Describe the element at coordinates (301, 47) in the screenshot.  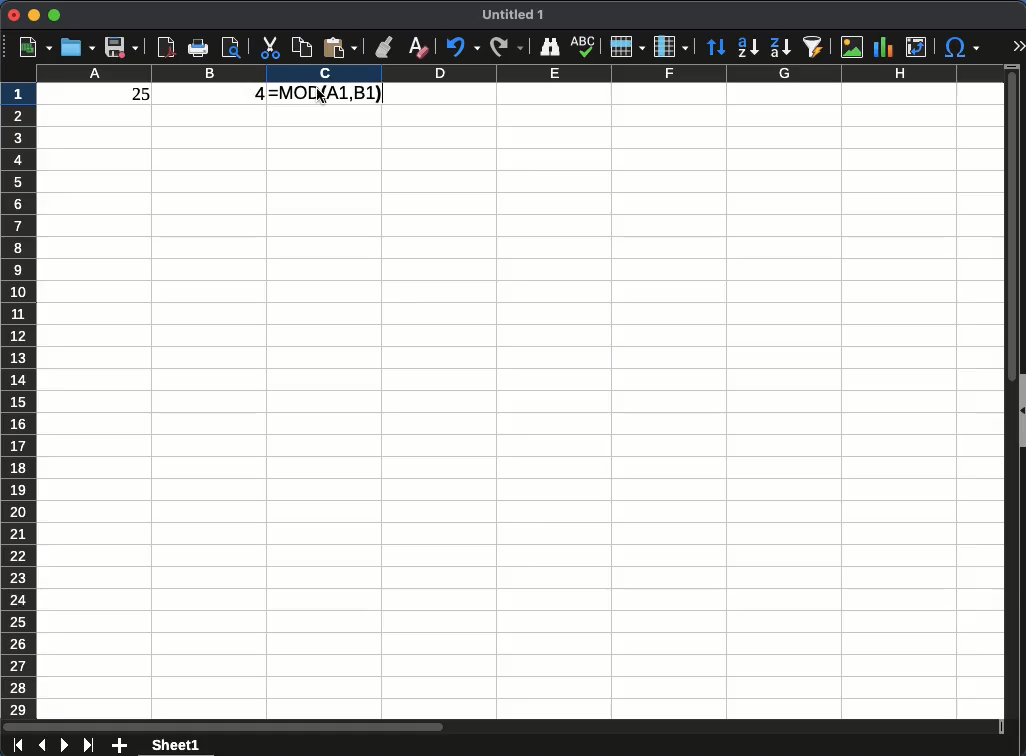
I see `copy` at that location.